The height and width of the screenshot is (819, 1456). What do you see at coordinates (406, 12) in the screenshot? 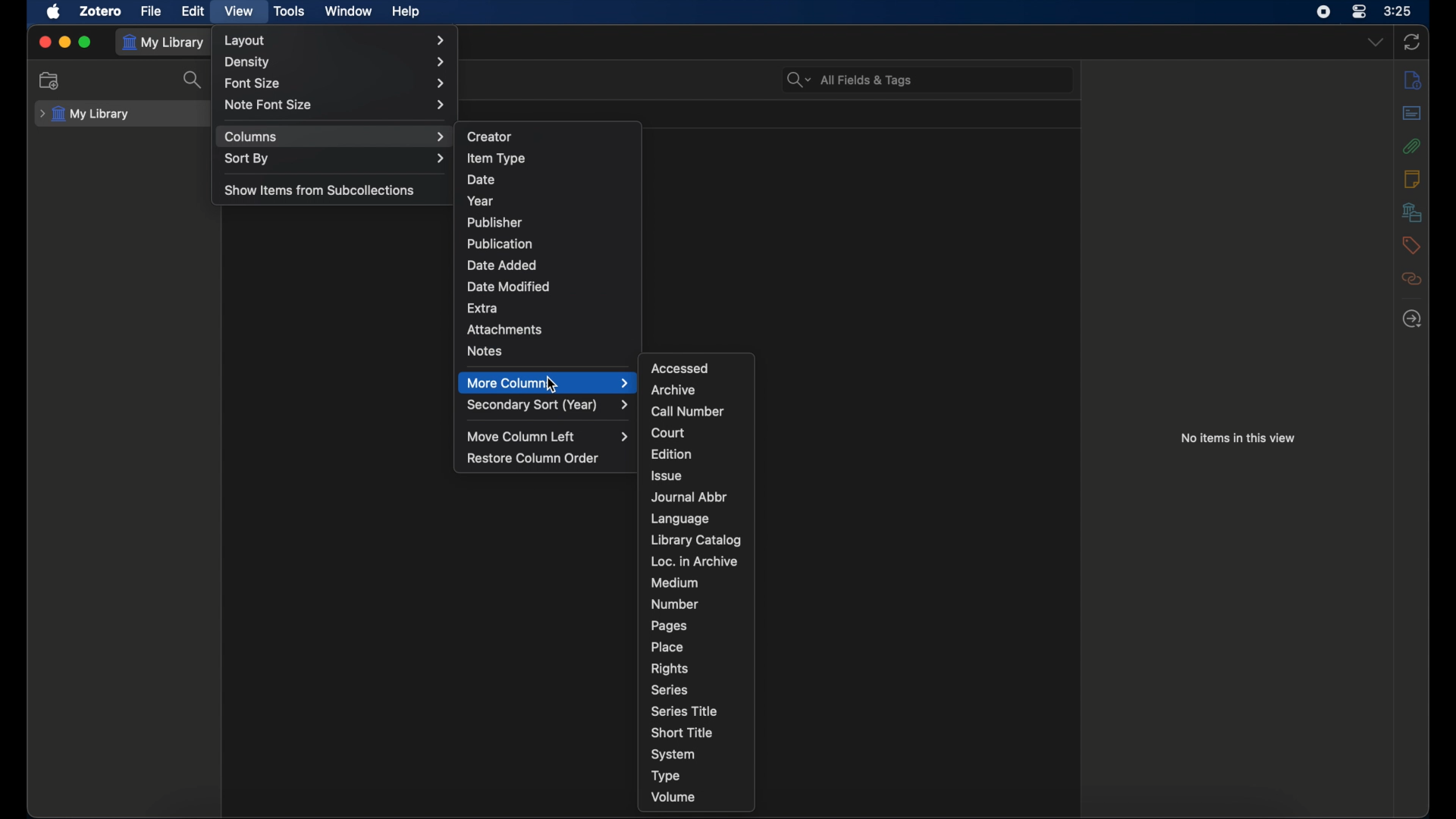
I see `help` at bounding box center [406, 12].